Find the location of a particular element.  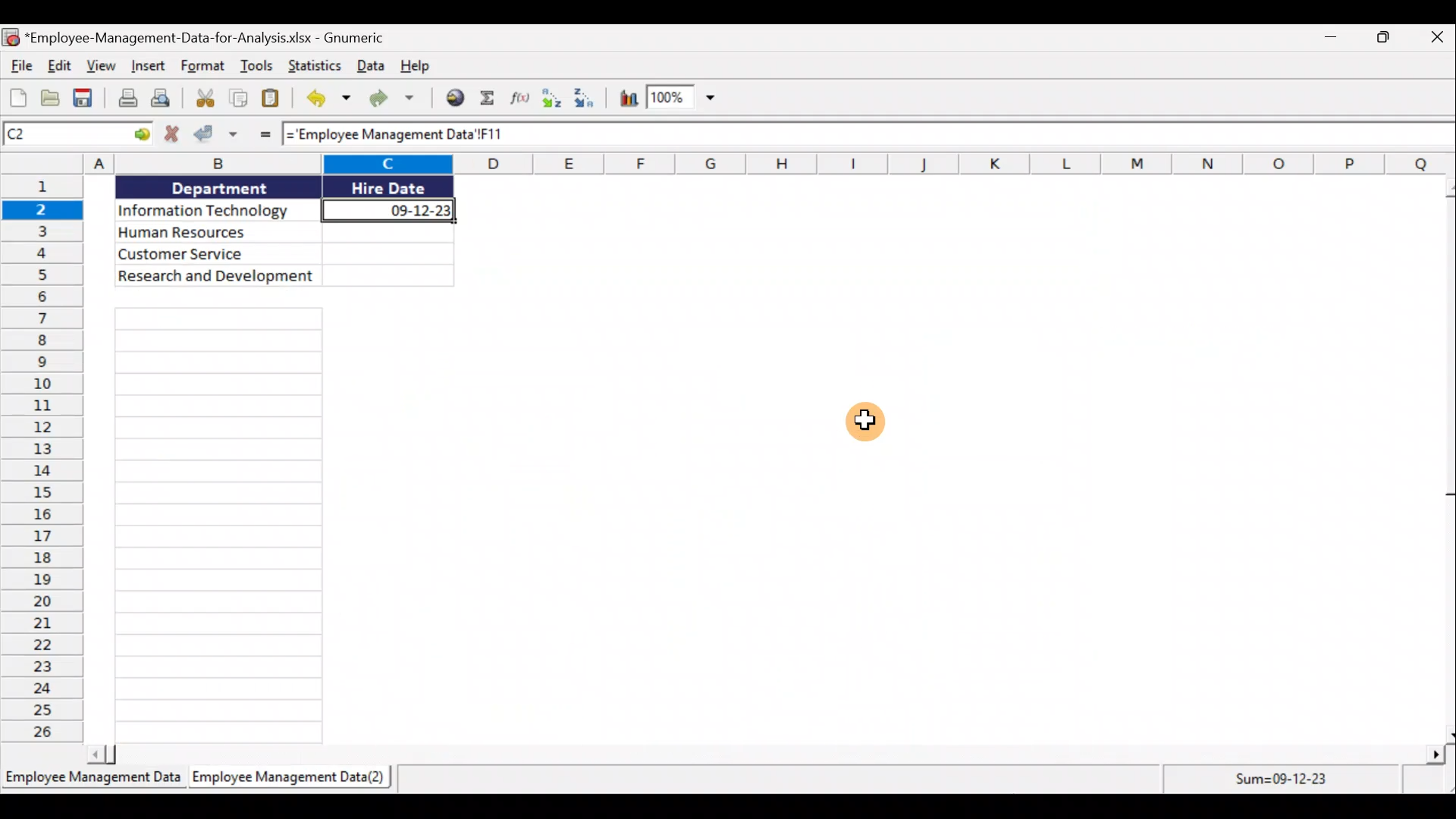

File is located at coordinates (17, 65).